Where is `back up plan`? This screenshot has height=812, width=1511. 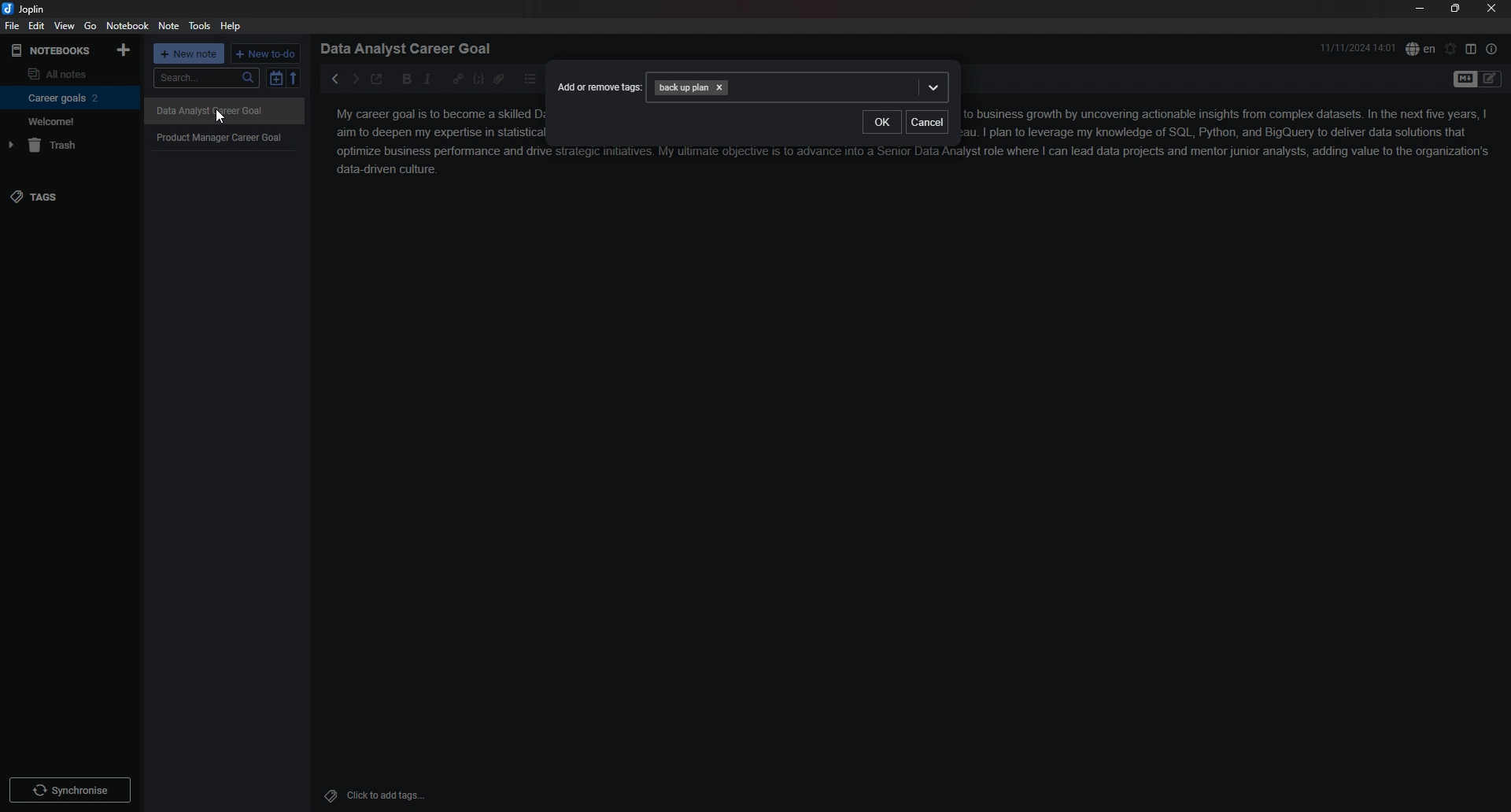 back up plan is located at coordinates (798, 87).